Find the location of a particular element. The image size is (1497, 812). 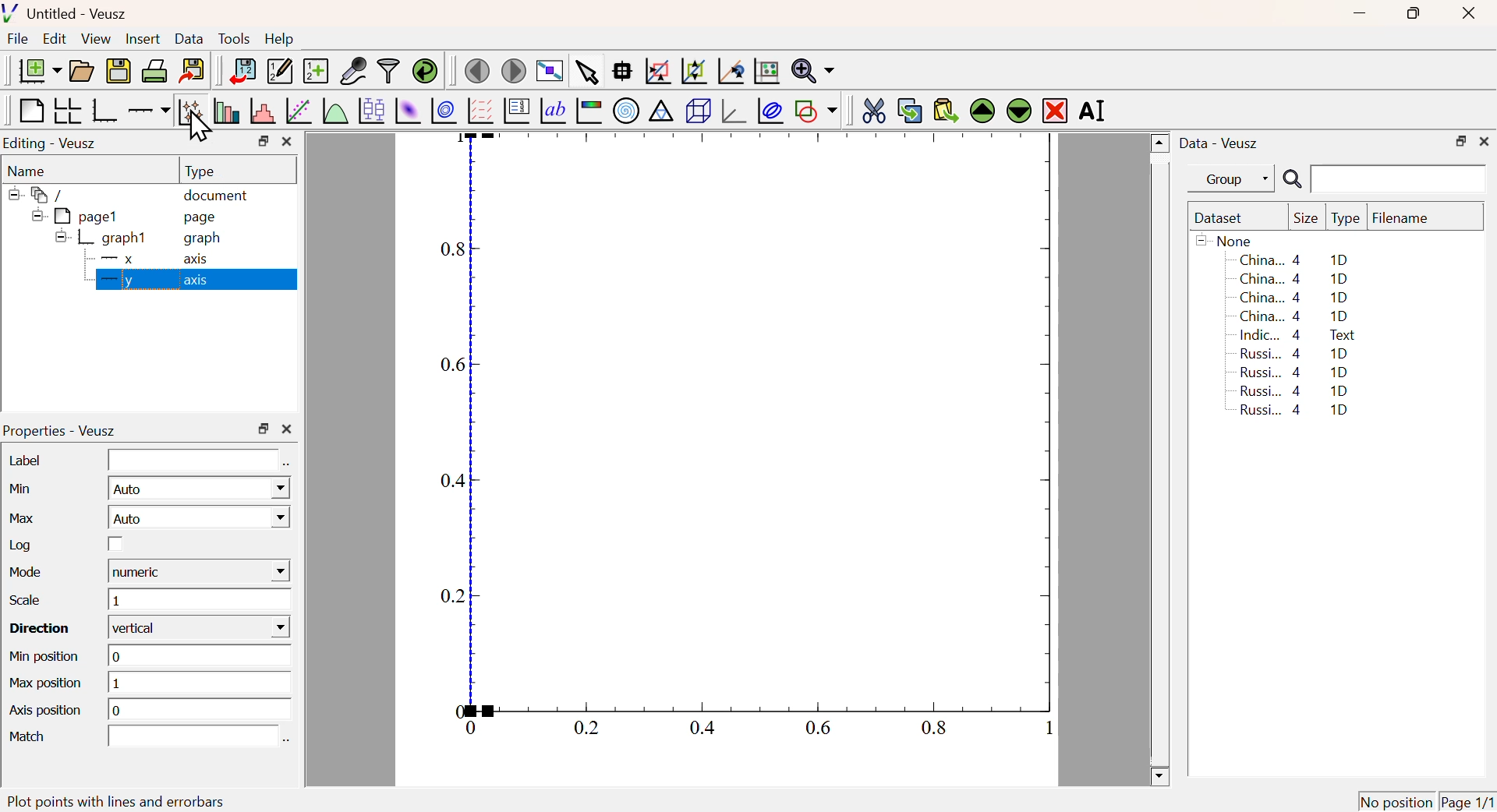

Plot Key is located at coordinates (515, 110).